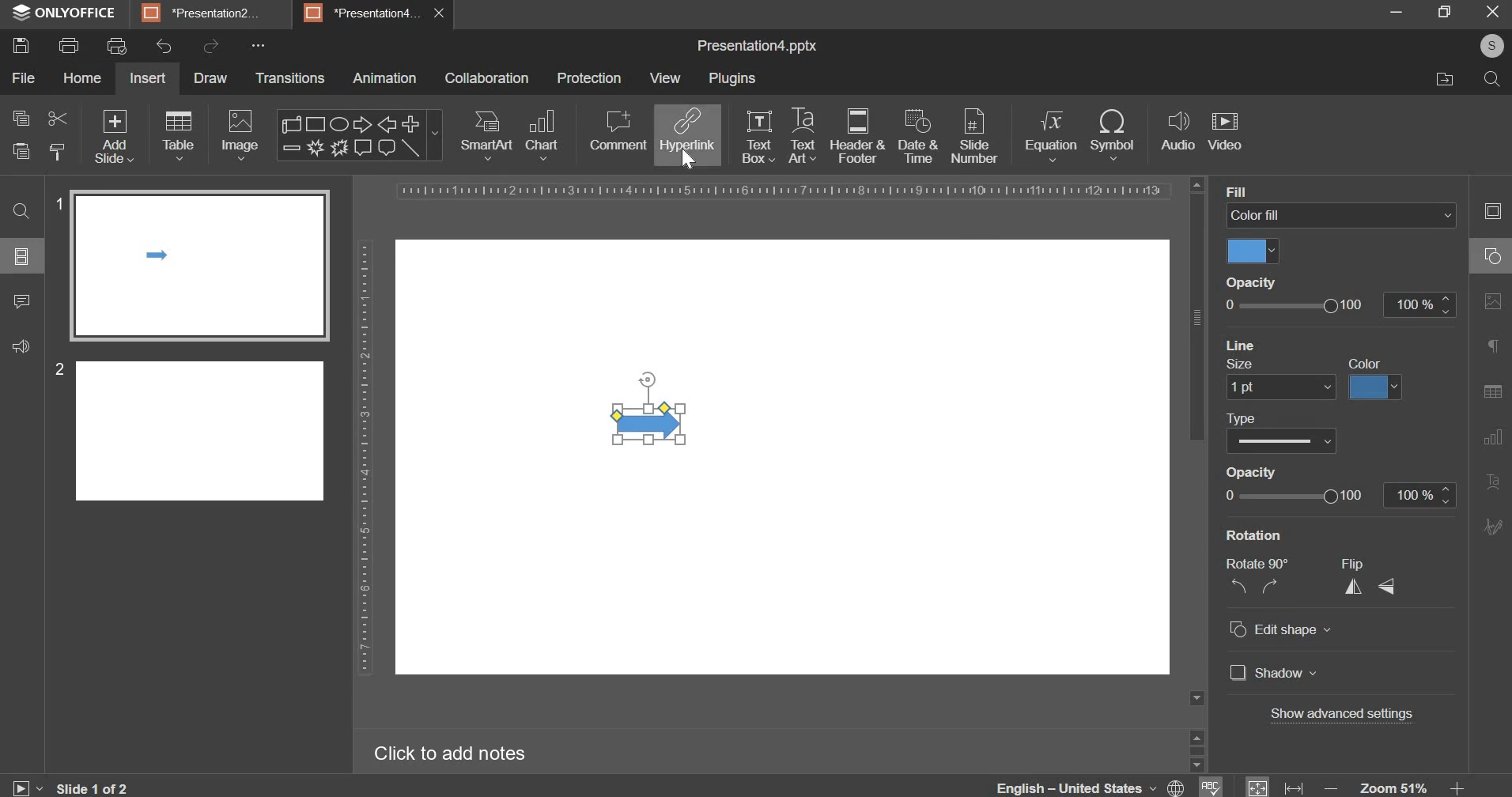 Image resolution: width=1512 pixels, height=797 pixels. What do you see at coordinates (857, 137) in the screenshot?
I see `header & footer` at bounding box center [857, 137].